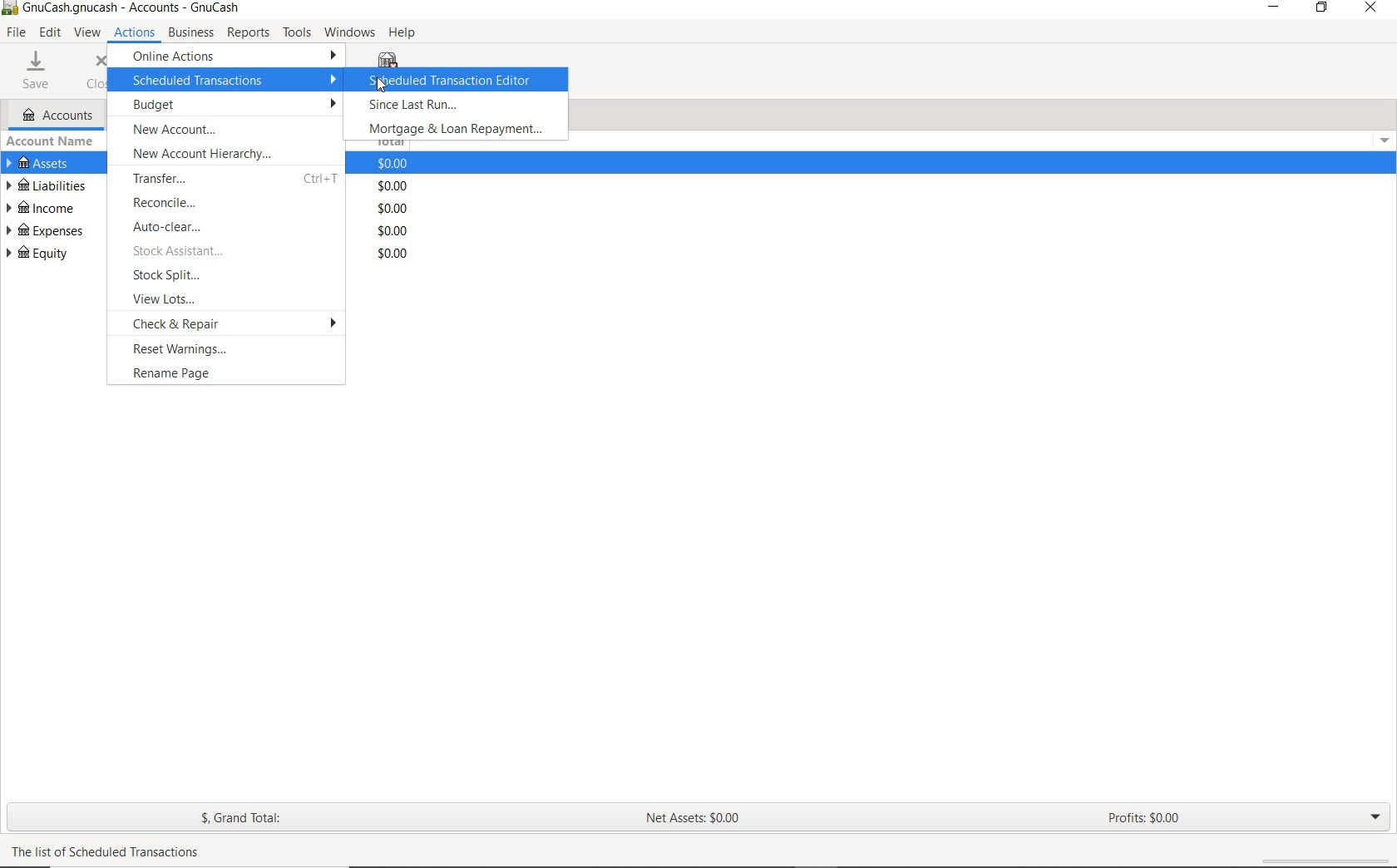 This screenshot has height=868, width=1397. I want to click on total, so click(395, 165).